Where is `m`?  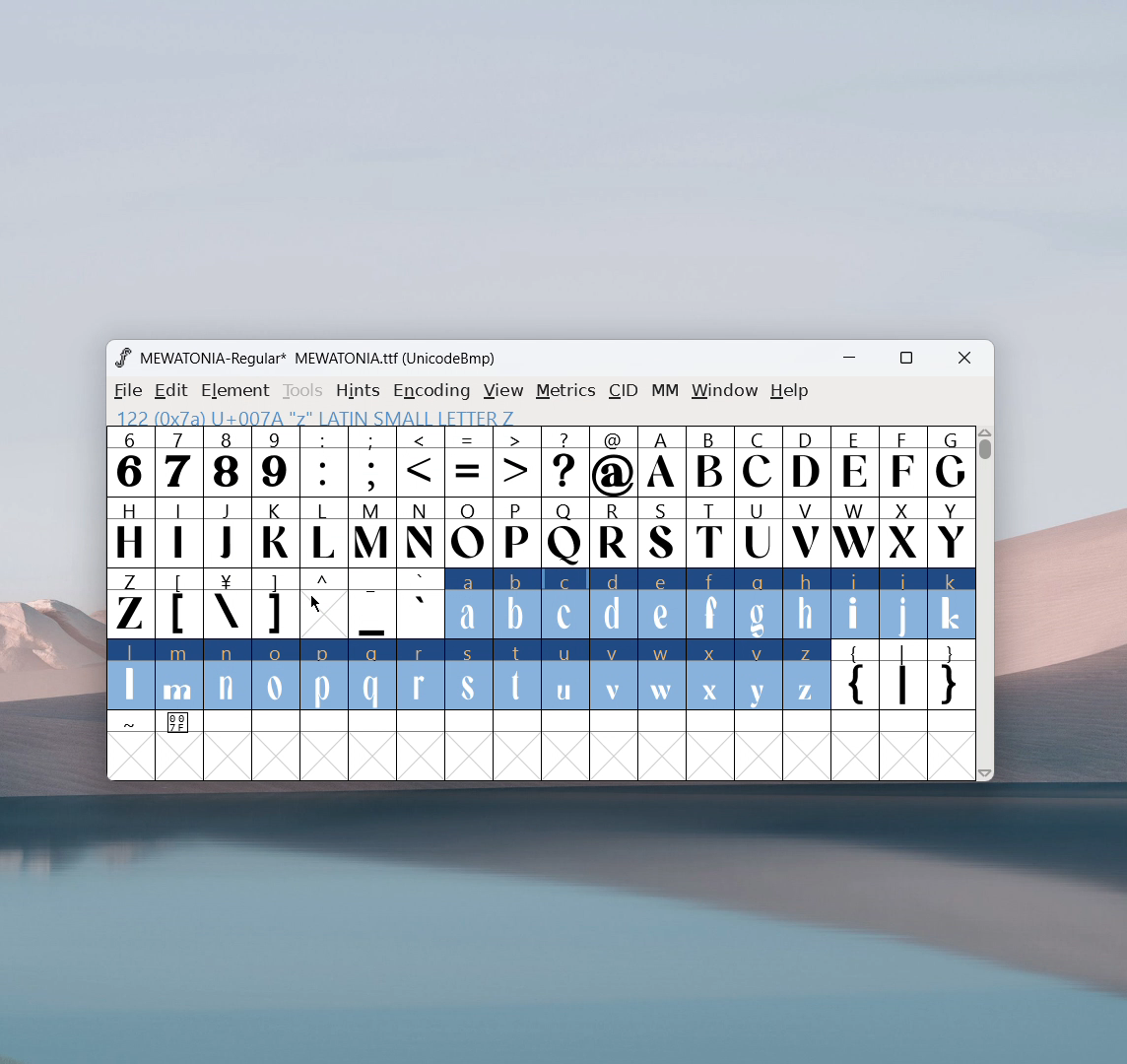
m is located at coordinates (179, 675).